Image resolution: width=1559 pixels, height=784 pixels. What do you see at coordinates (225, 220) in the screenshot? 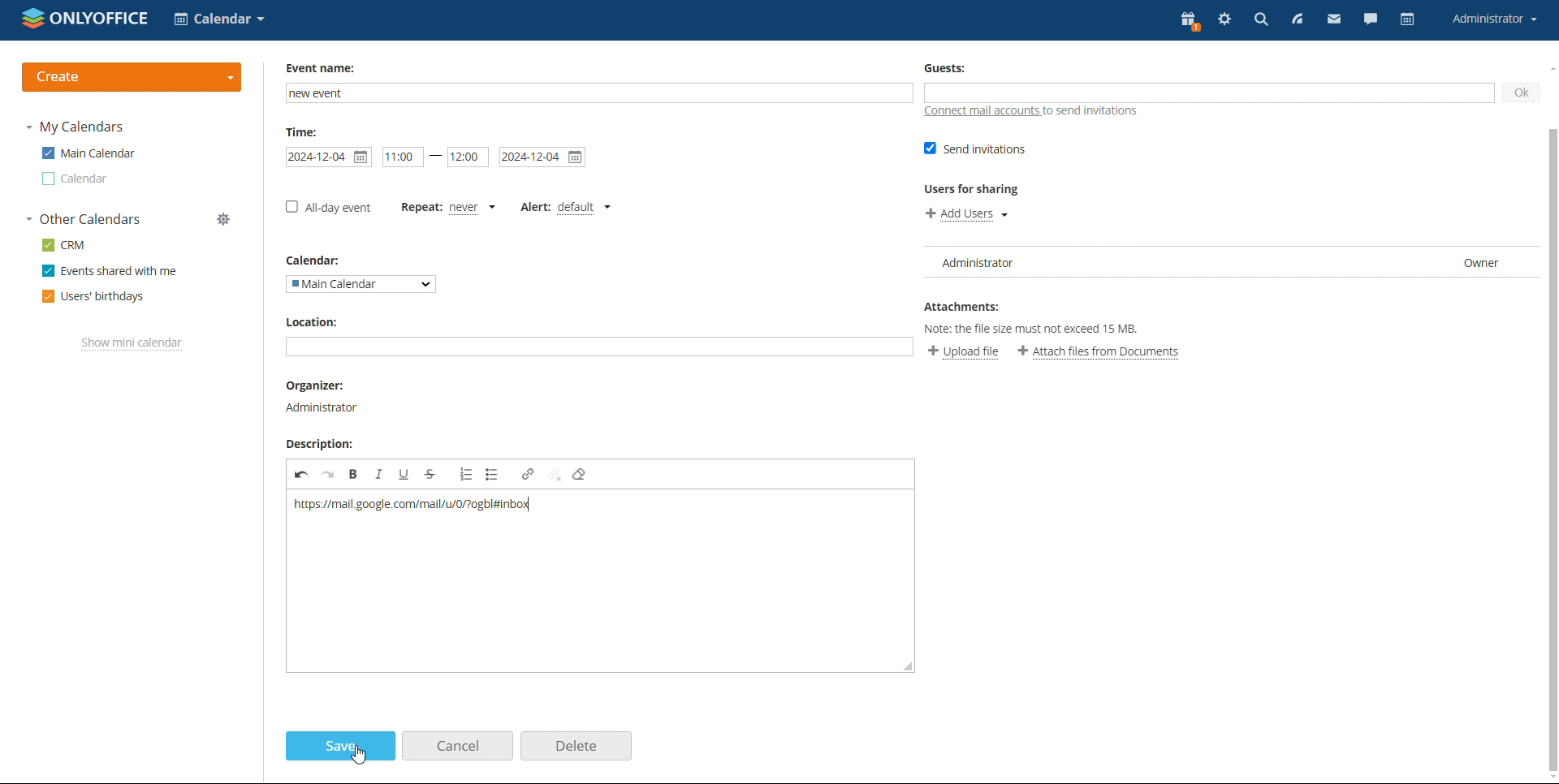
I see `manage` at bounding box center [225, 220].